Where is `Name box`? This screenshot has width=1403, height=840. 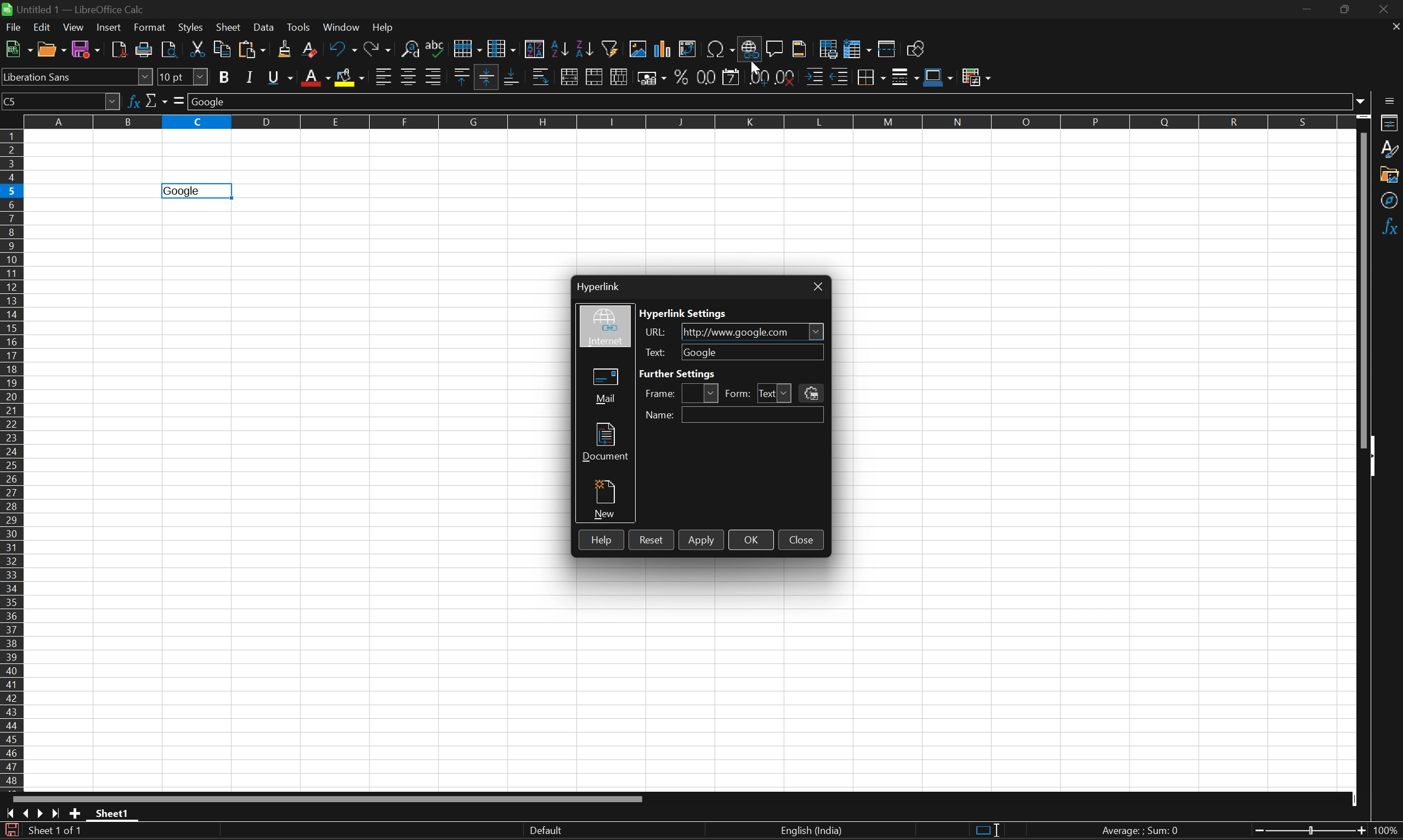 Name box is located at coordinates (60, 102).